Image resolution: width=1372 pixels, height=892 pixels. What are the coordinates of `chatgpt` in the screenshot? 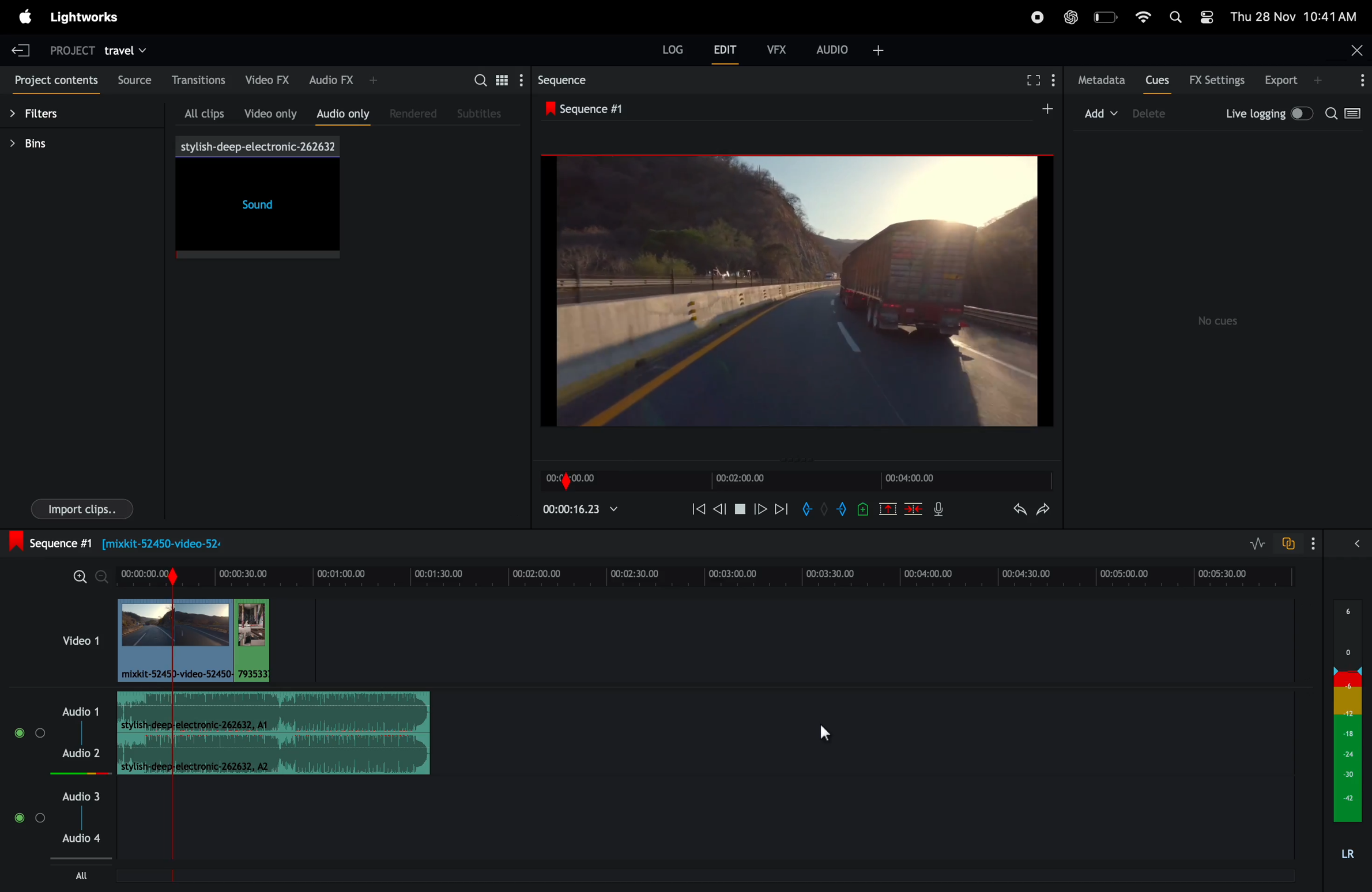 It's located at (1069, 16).